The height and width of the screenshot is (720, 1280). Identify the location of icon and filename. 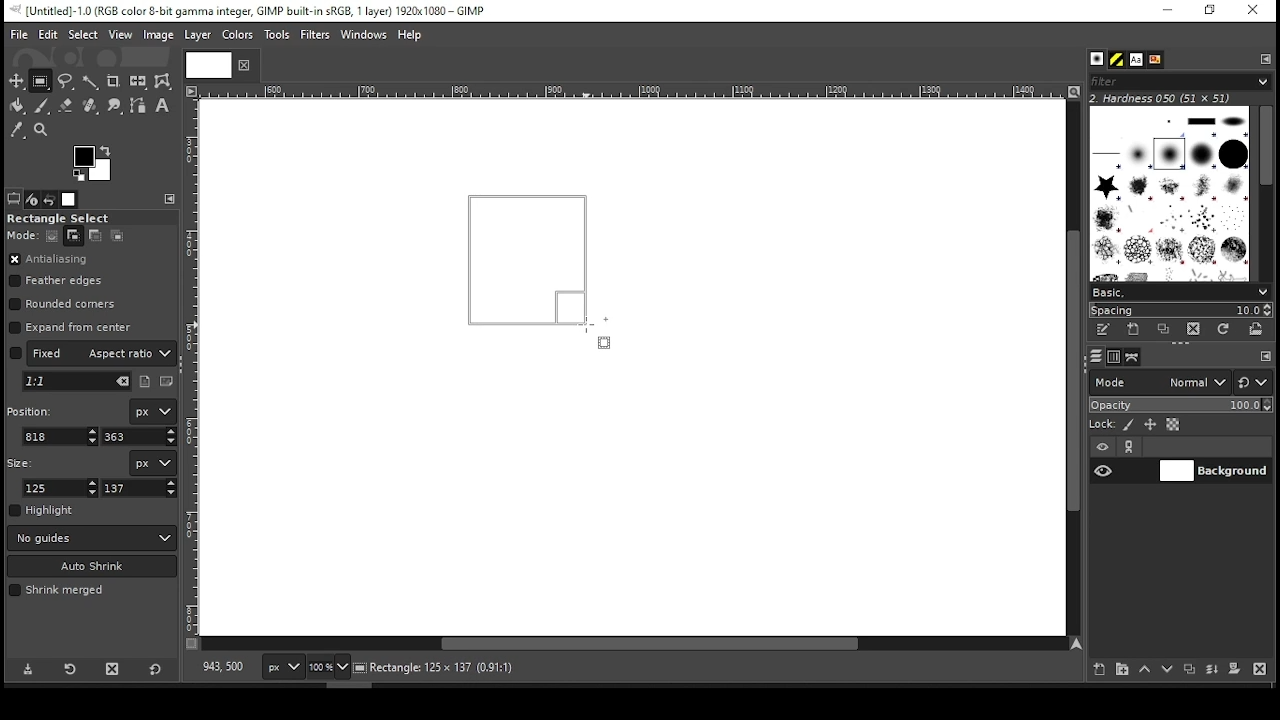
(252, 9).